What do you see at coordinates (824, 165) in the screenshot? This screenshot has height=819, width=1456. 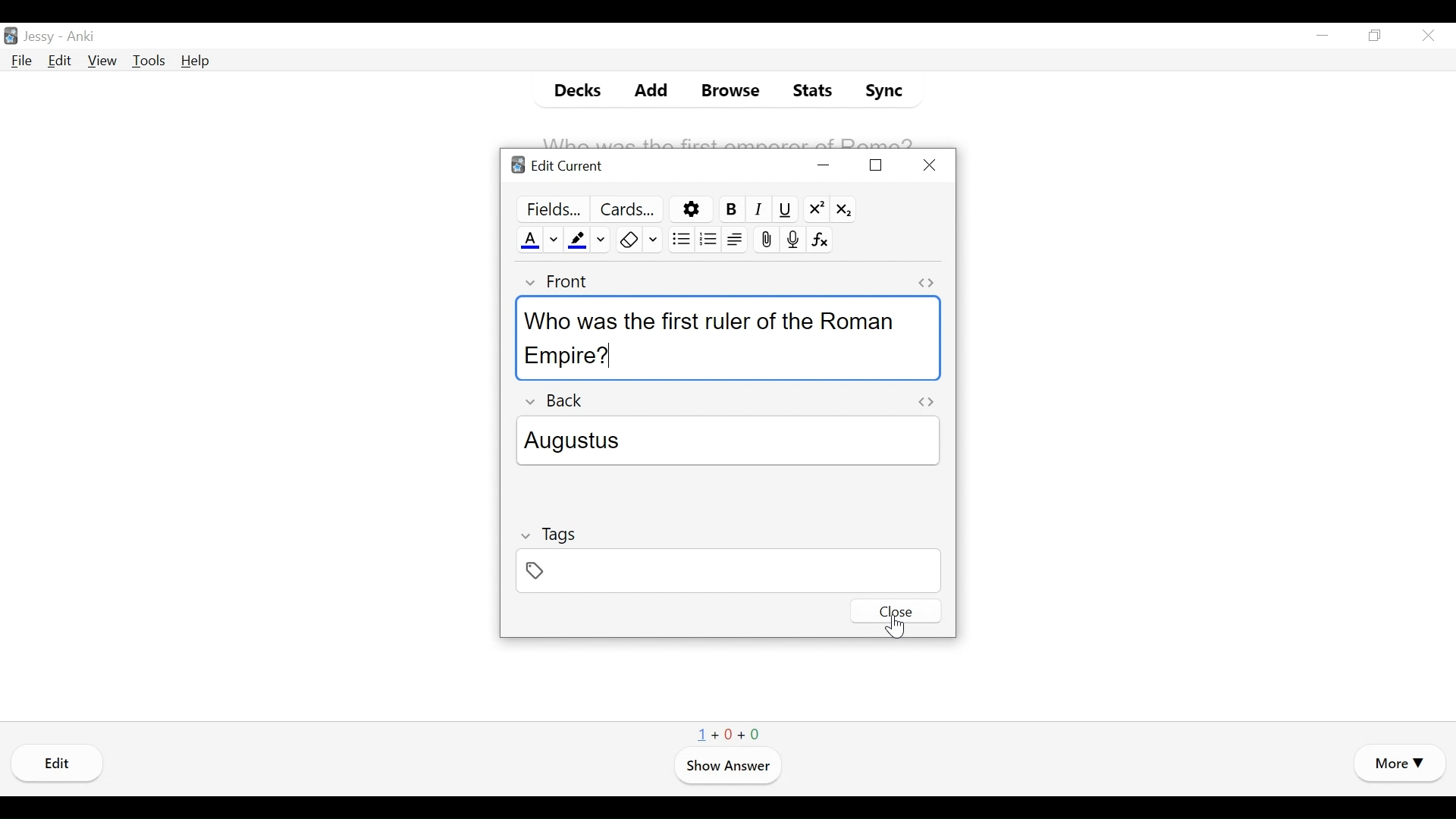 I see `minimize` at bounding box center [824, 165].